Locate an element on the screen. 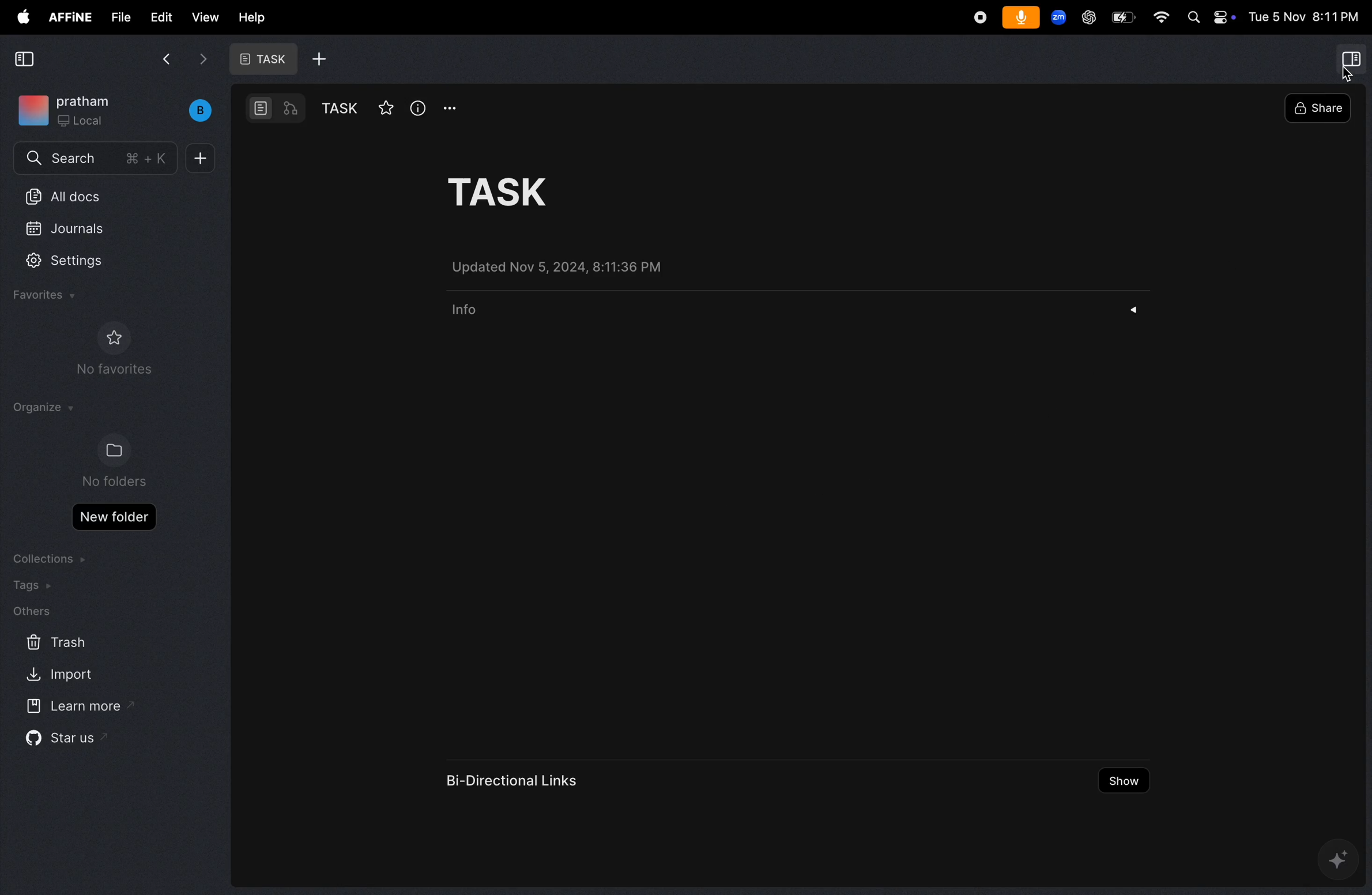 The image size is (1372, 895). tags is located at coordinates (36, 586).